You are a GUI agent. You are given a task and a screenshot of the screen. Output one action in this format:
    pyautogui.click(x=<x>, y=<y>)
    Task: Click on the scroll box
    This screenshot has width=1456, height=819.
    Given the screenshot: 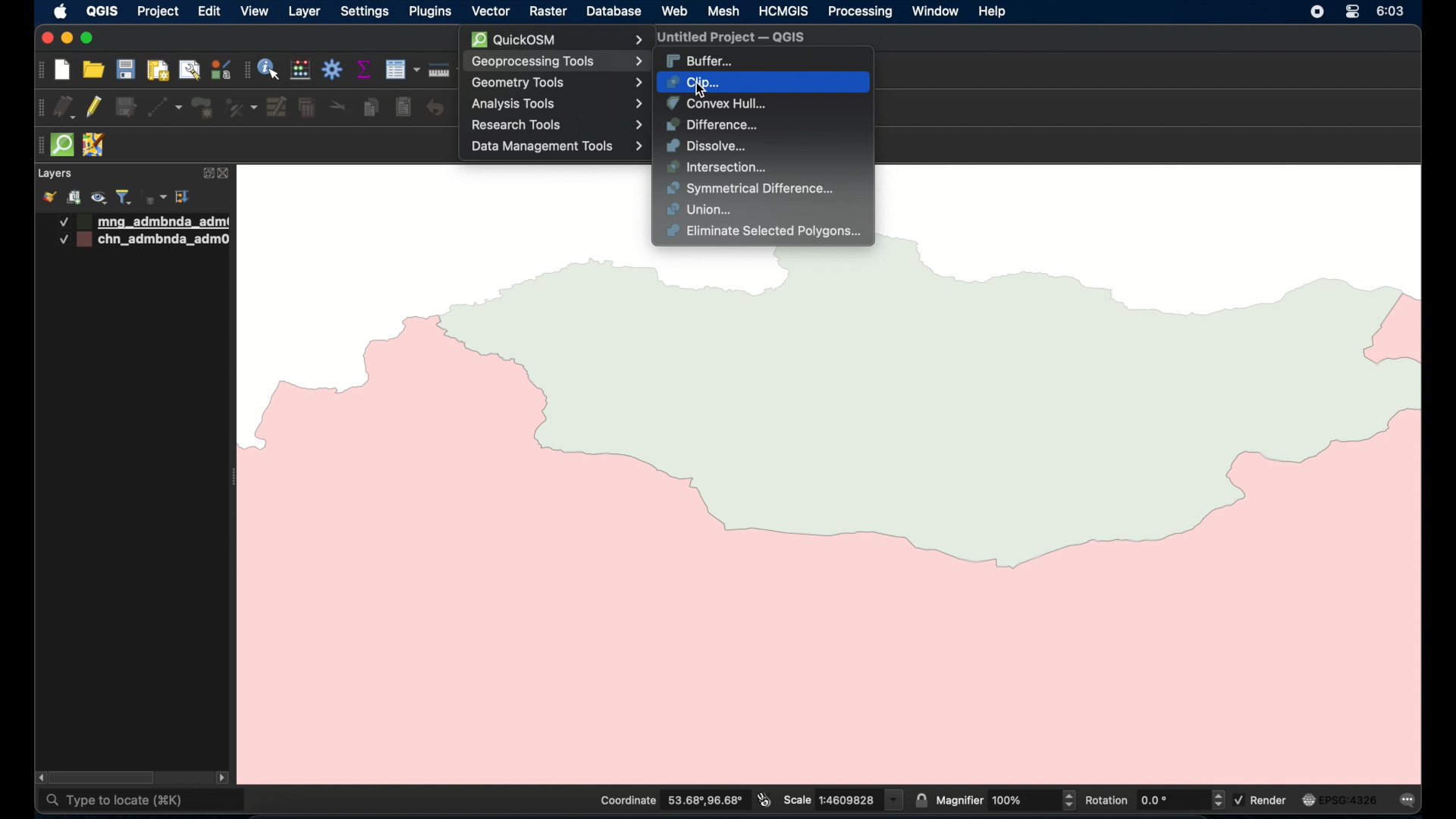 What is the action you would take?
    pyautogui.click(x=105, y=778)
    